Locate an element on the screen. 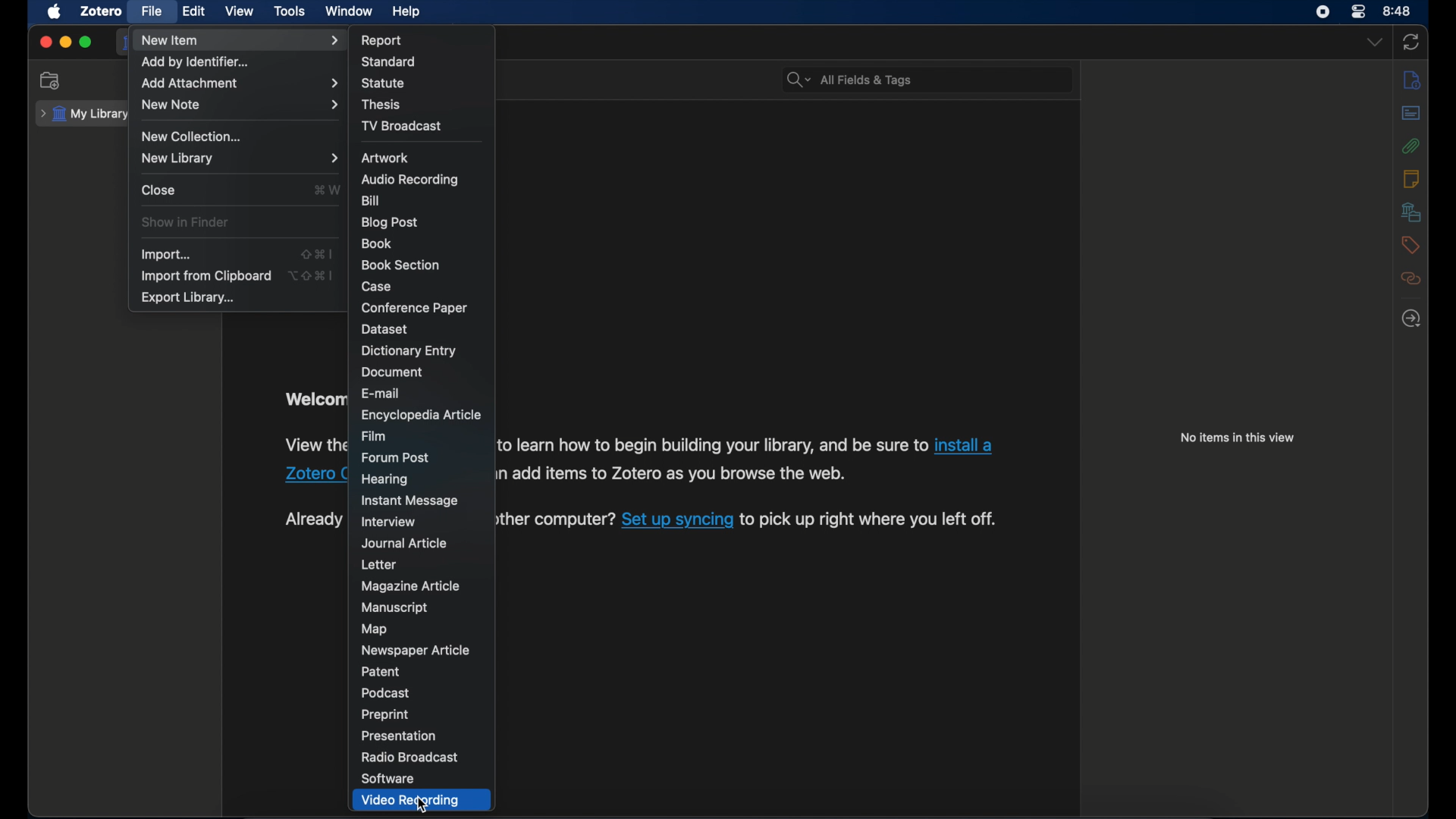 This screenshot has height=819, width=1456. document is located at coordinates (394, 372).